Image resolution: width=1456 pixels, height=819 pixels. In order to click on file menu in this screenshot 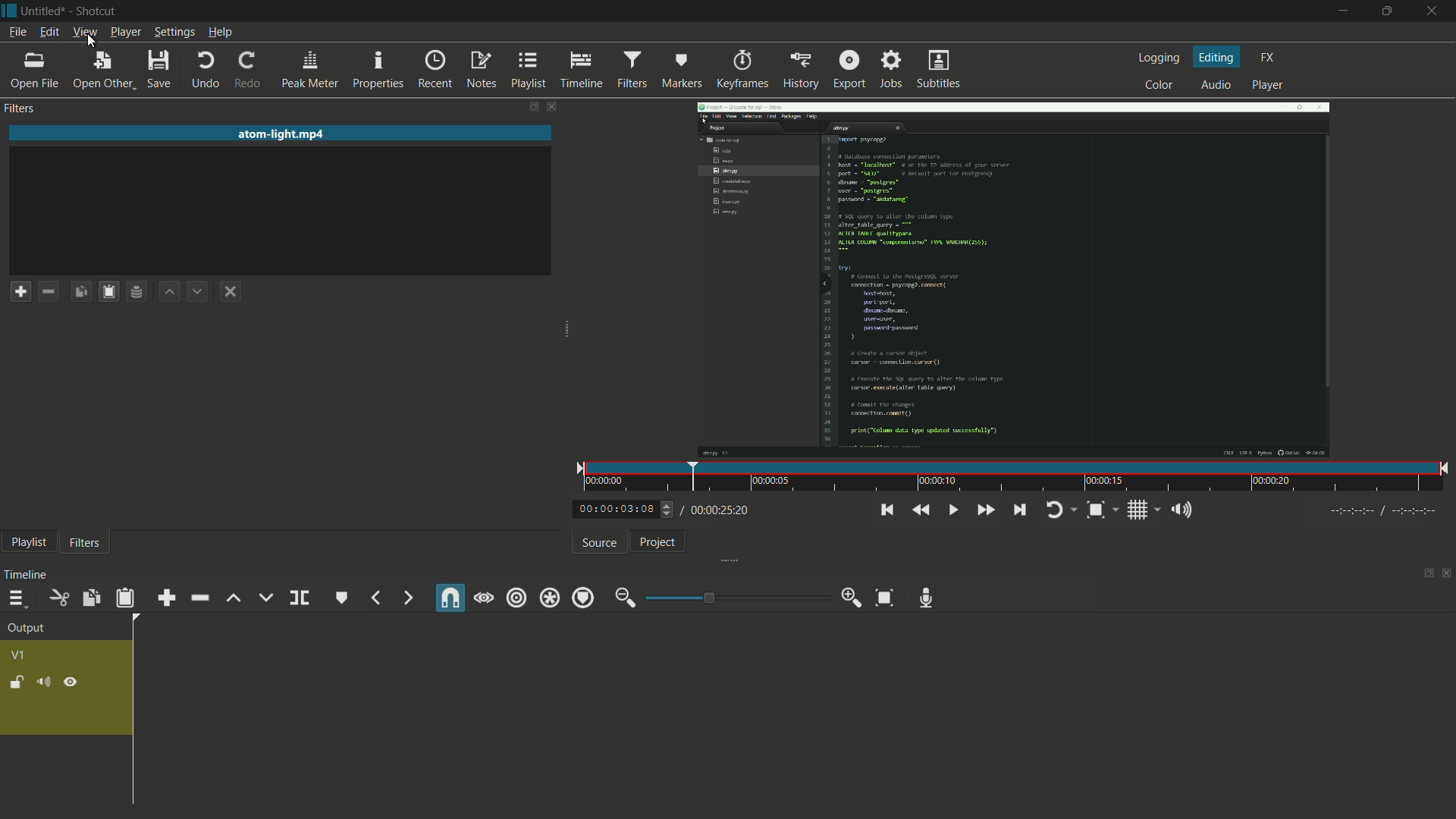, I will do `click(17, 33)`.